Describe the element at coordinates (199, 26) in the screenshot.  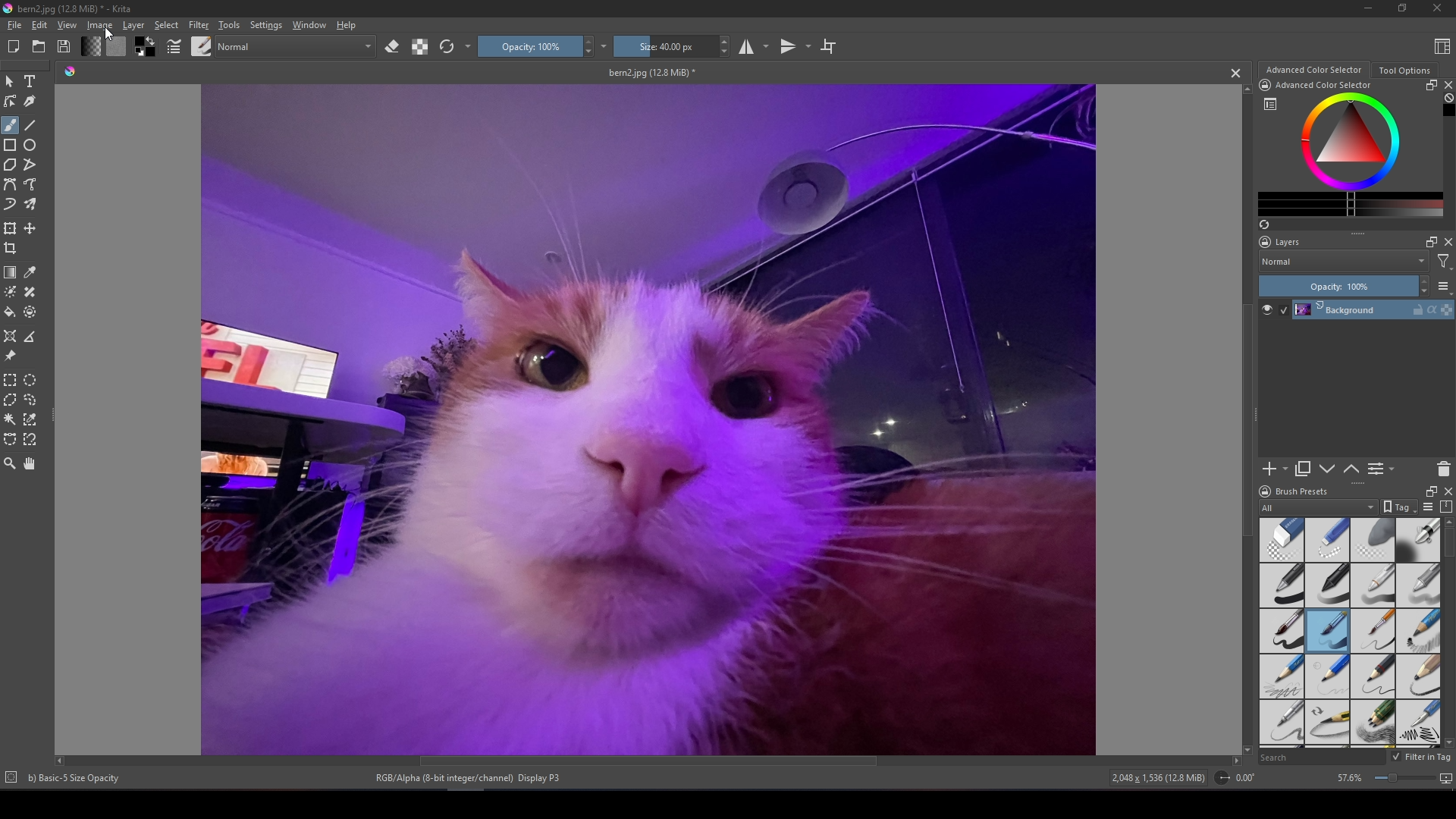
I see `Filter` at that location.